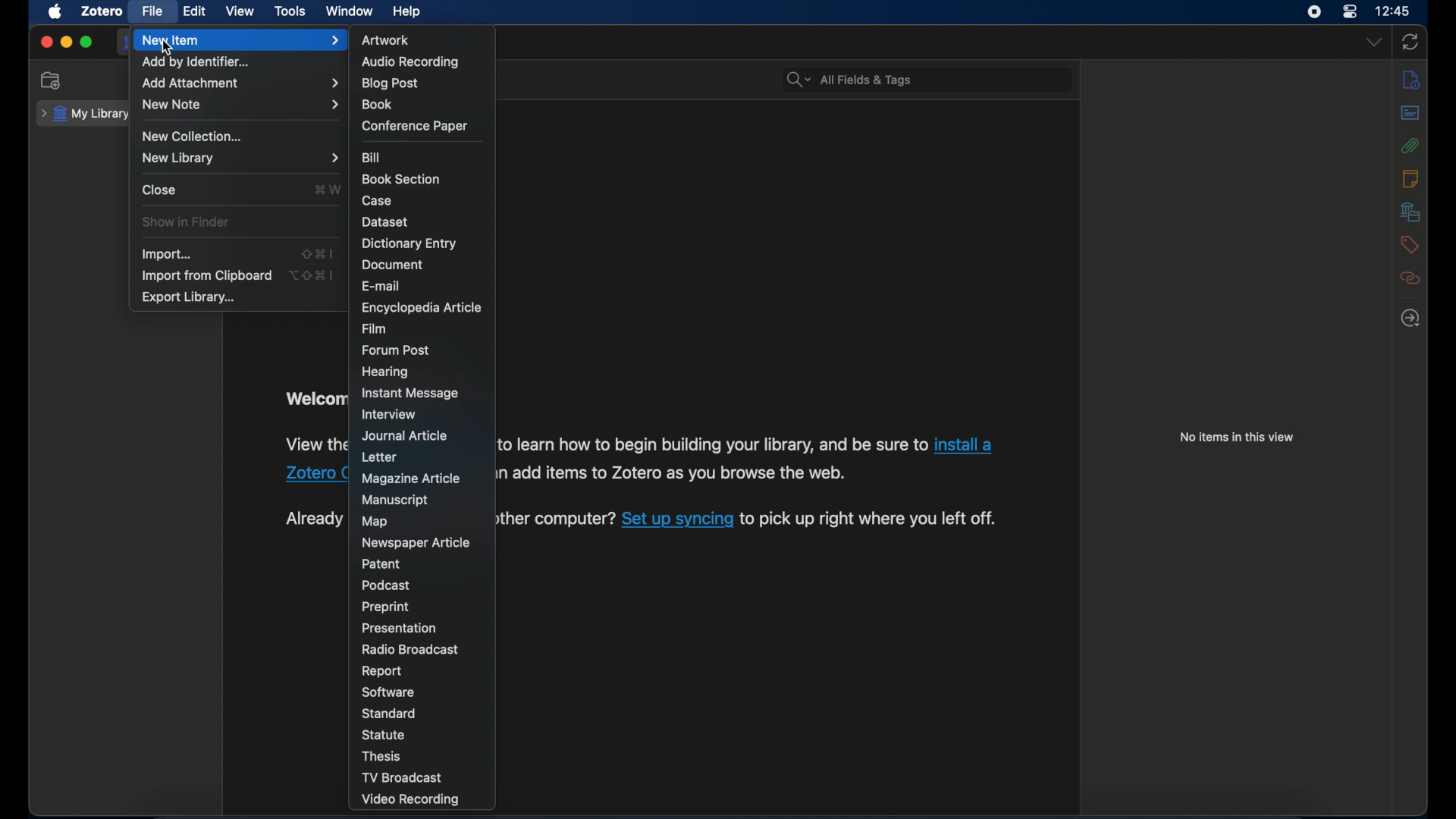 The width and height of the screenshot is (1456, 819). I want to click on blog post, so click(390, 84).